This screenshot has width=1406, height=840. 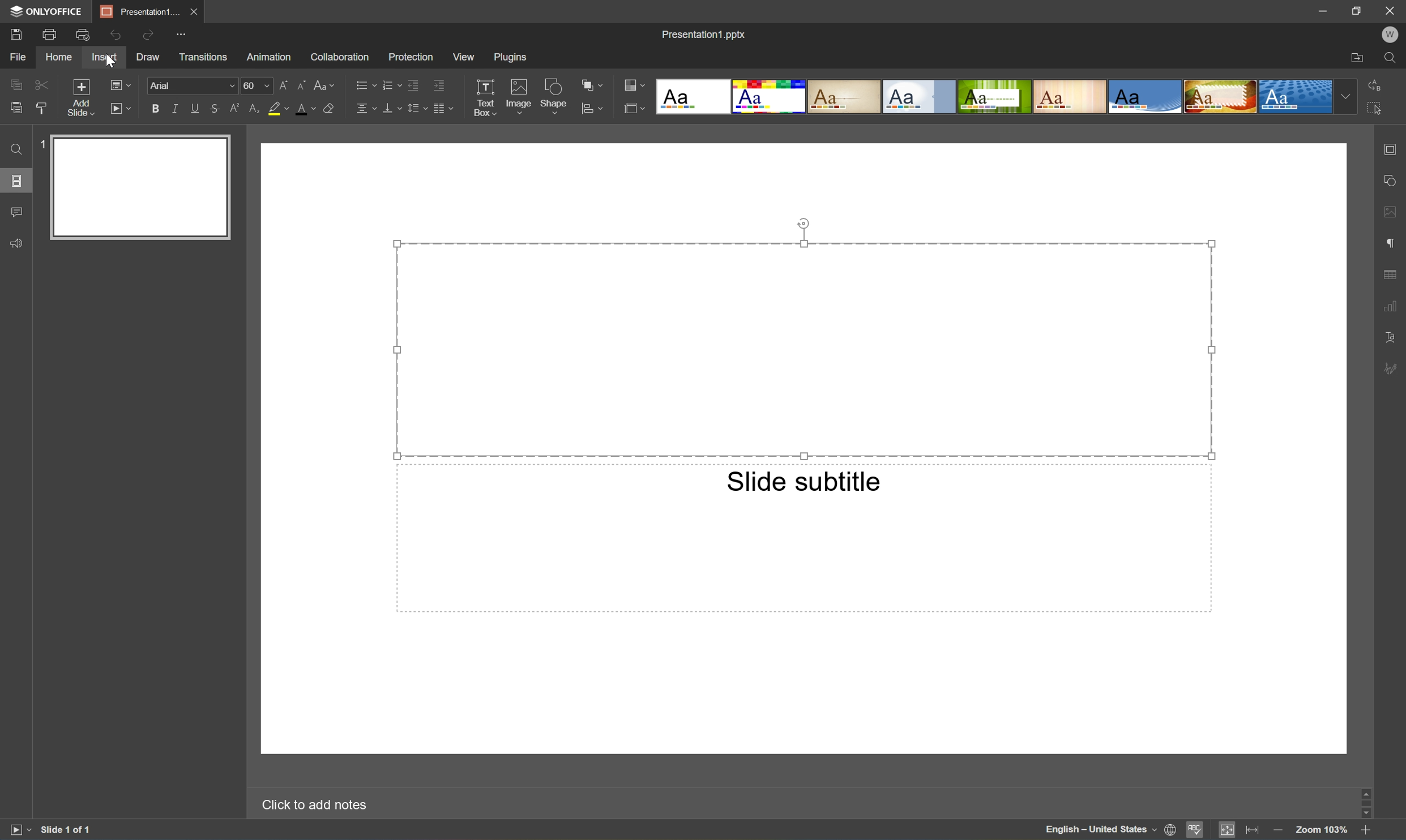 I want to click on Start slideshow, so click(x=122, y=109).